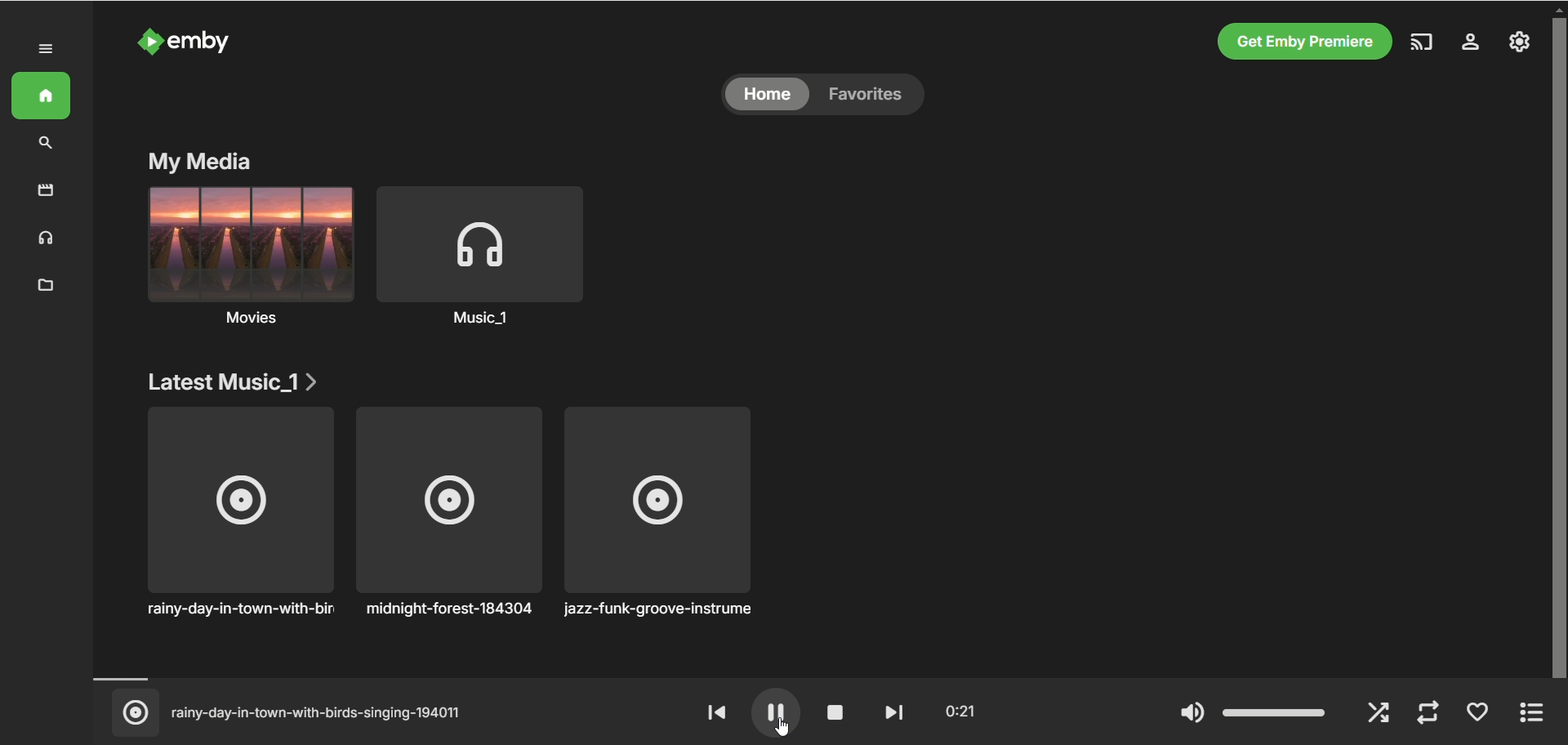 The width and height of the screenshot is (1568, 745). I want to click on shuffle, so click(1383, 716).